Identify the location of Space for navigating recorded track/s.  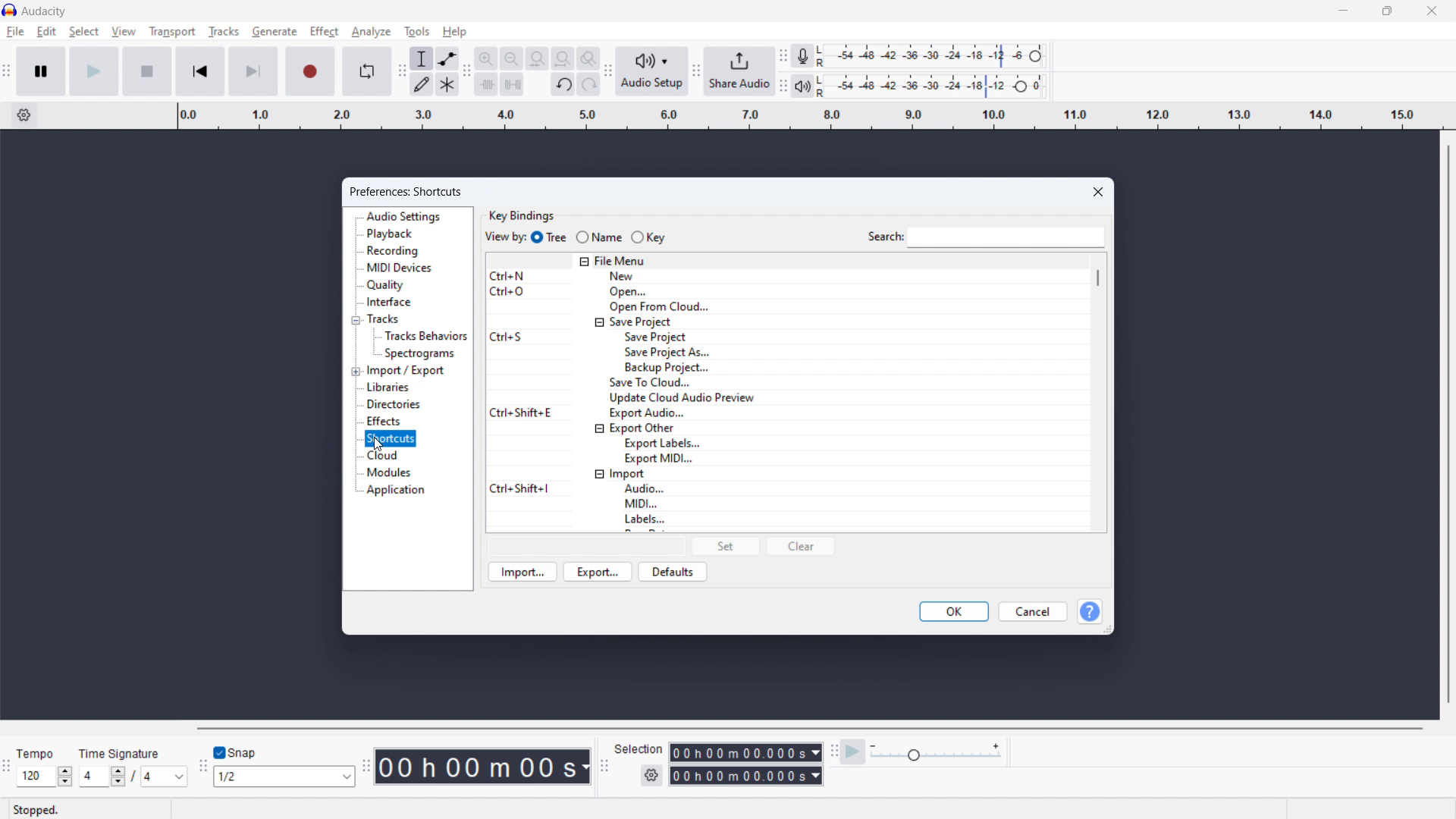
(1277, 426).